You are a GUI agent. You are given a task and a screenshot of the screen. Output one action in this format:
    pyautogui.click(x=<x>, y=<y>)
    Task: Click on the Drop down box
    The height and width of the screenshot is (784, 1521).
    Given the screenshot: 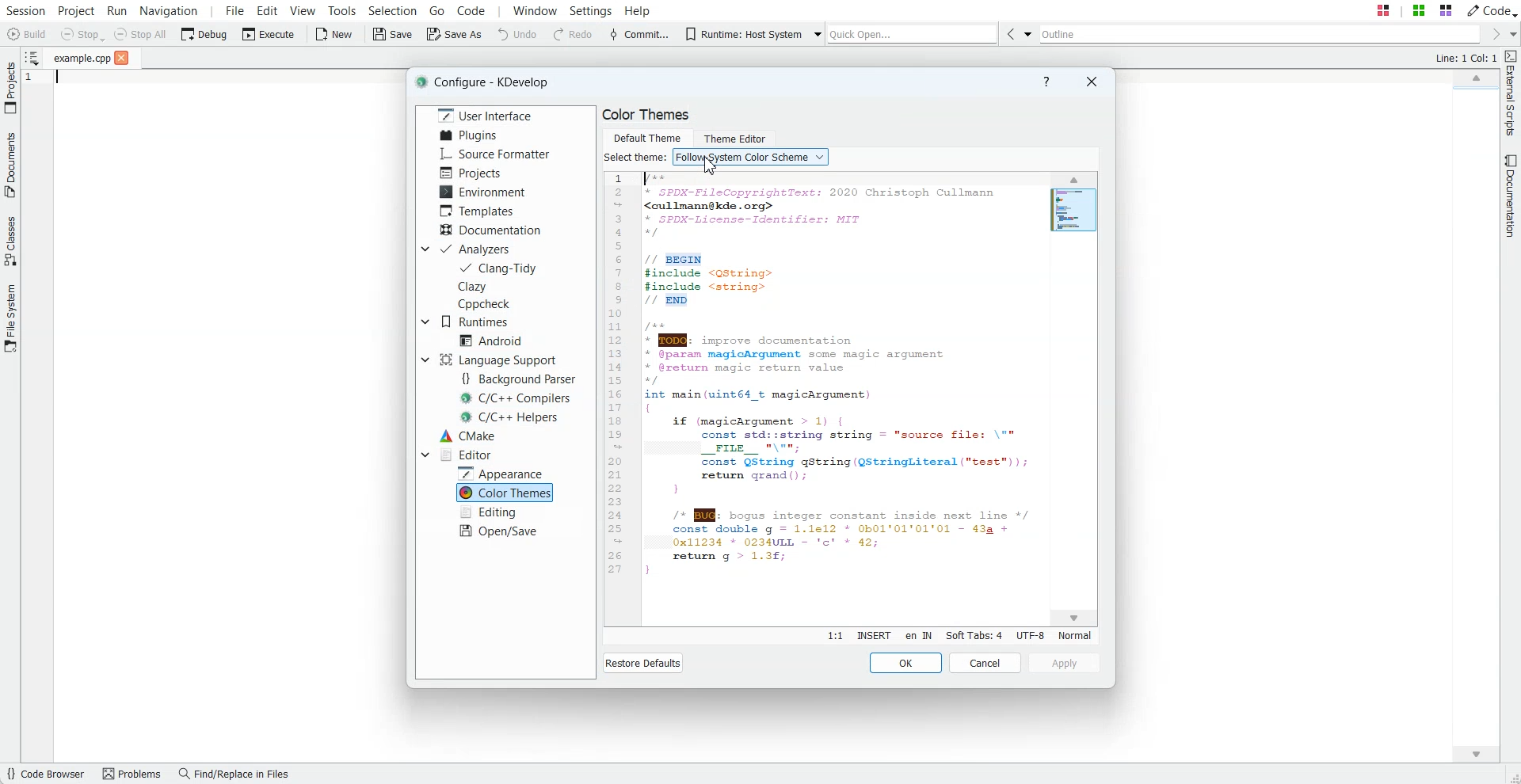 What is the action you would take?
    pyautogui.click(x=1511, y=34)
    